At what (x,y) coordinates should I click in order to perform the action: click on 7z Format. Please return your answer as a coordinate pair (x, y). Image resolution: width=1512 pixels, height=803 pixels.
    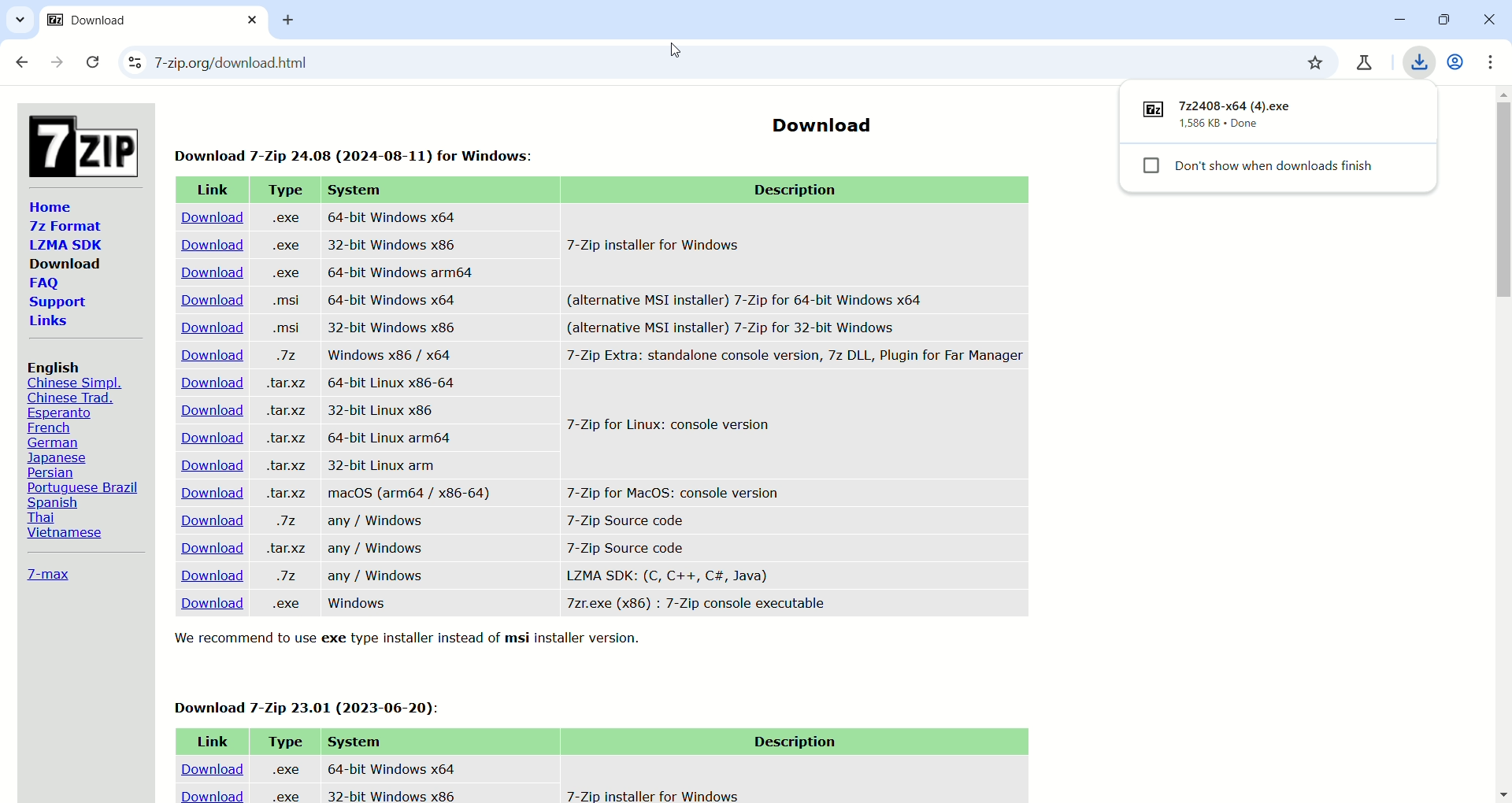
    Looking at the image, I should click on (61, 228).